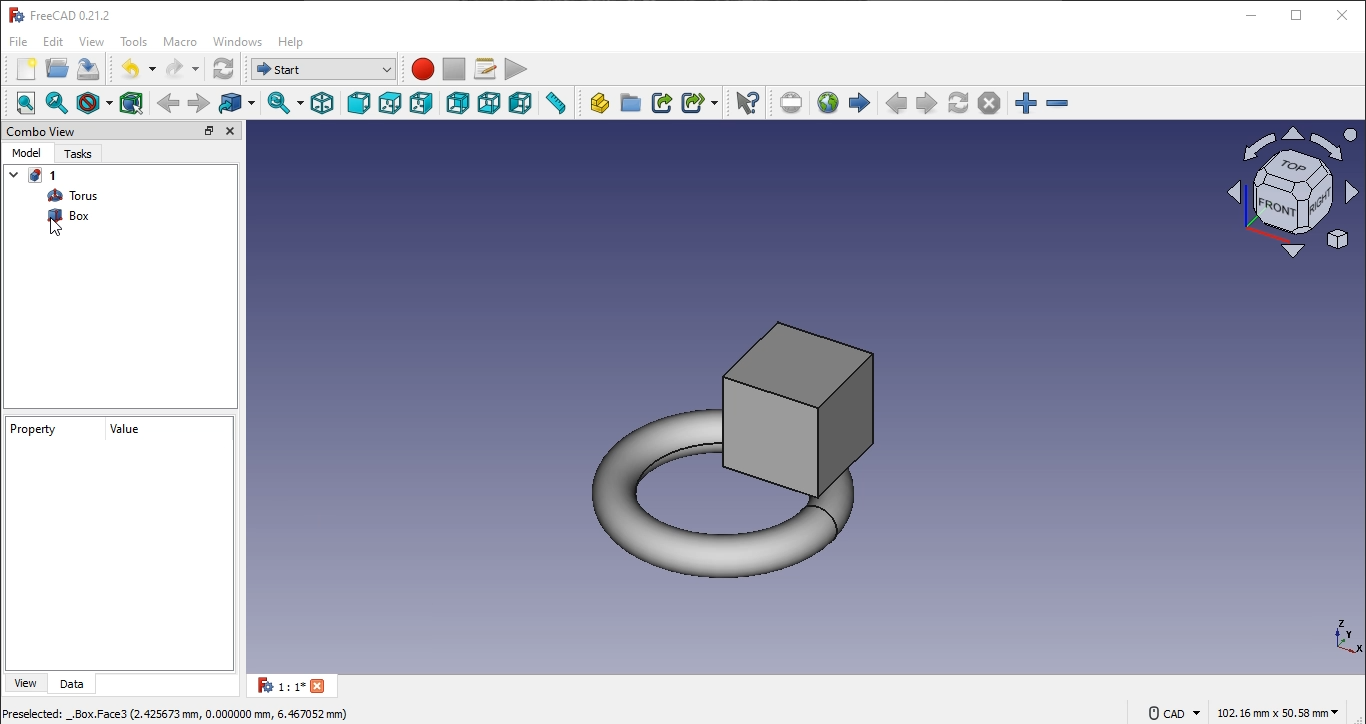  Describe the element at coordinates (487, 104) in the screenshot. I see `bottom` at that location.